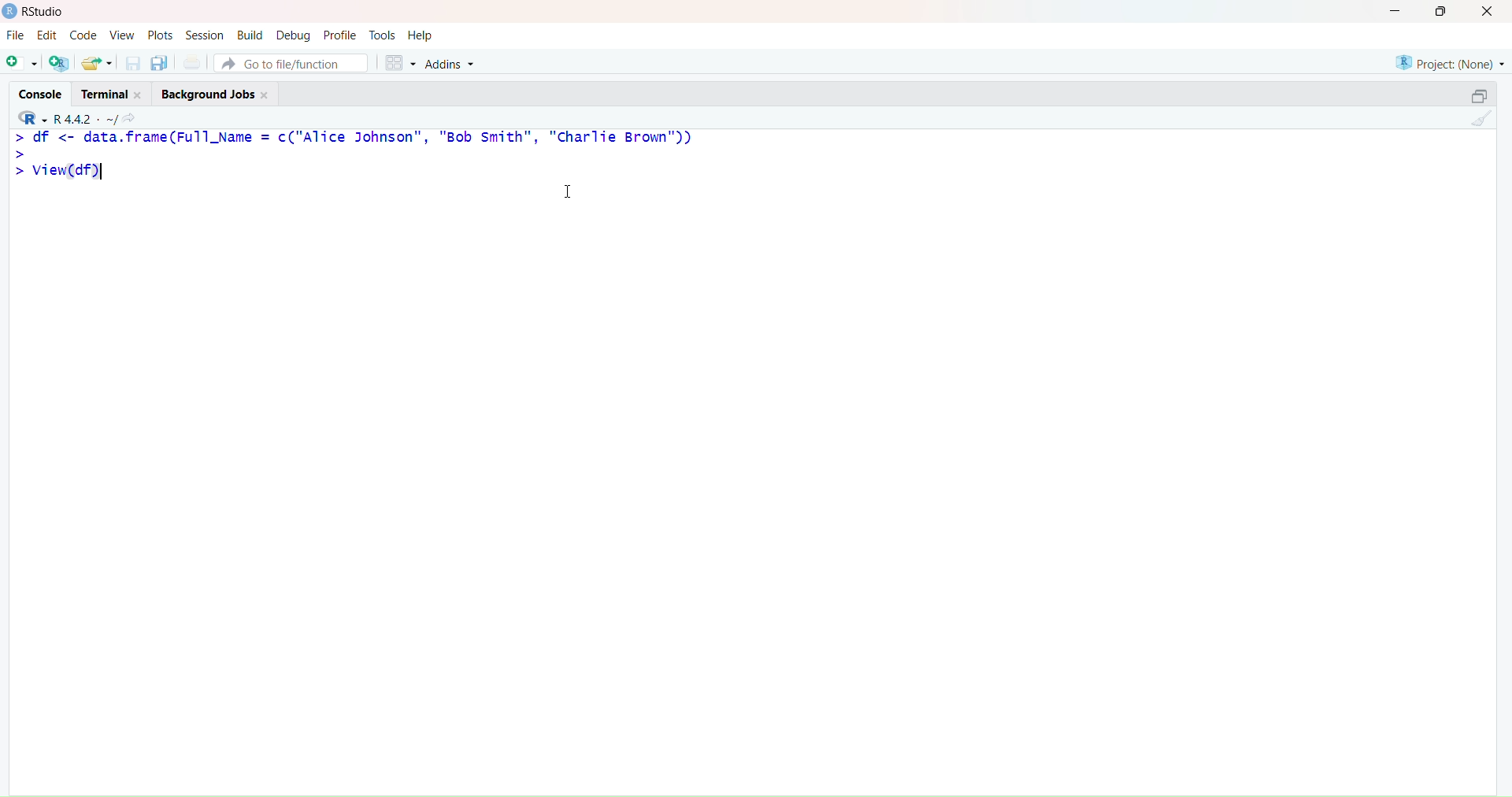  I want to click on Save all open documents (Ctrl + Alt + S), so click(159, 63).